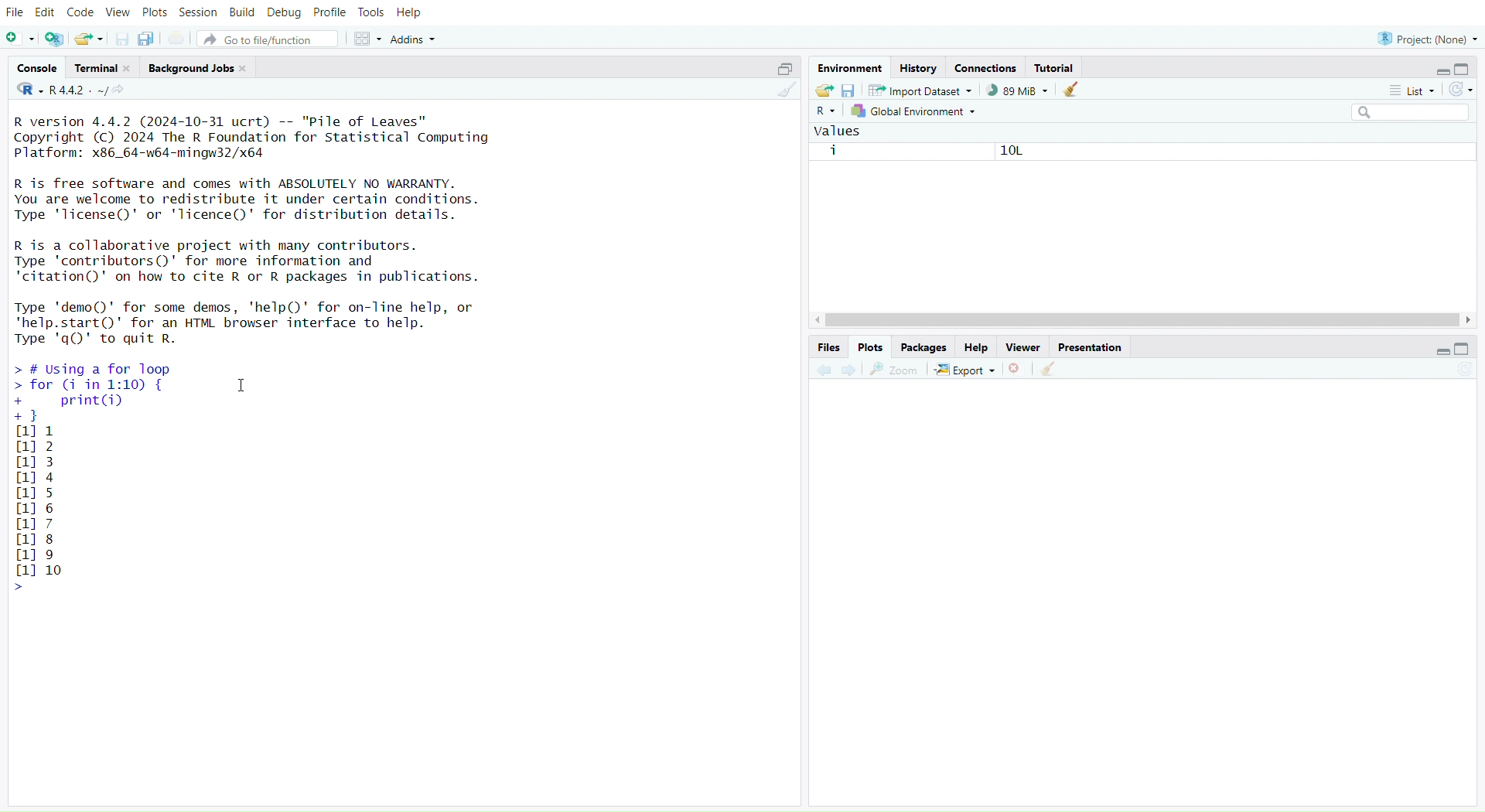  What do you see at coordinates (1025, 347) in the screenshot?
I see `viewer` at bounding box center [1025, 347].